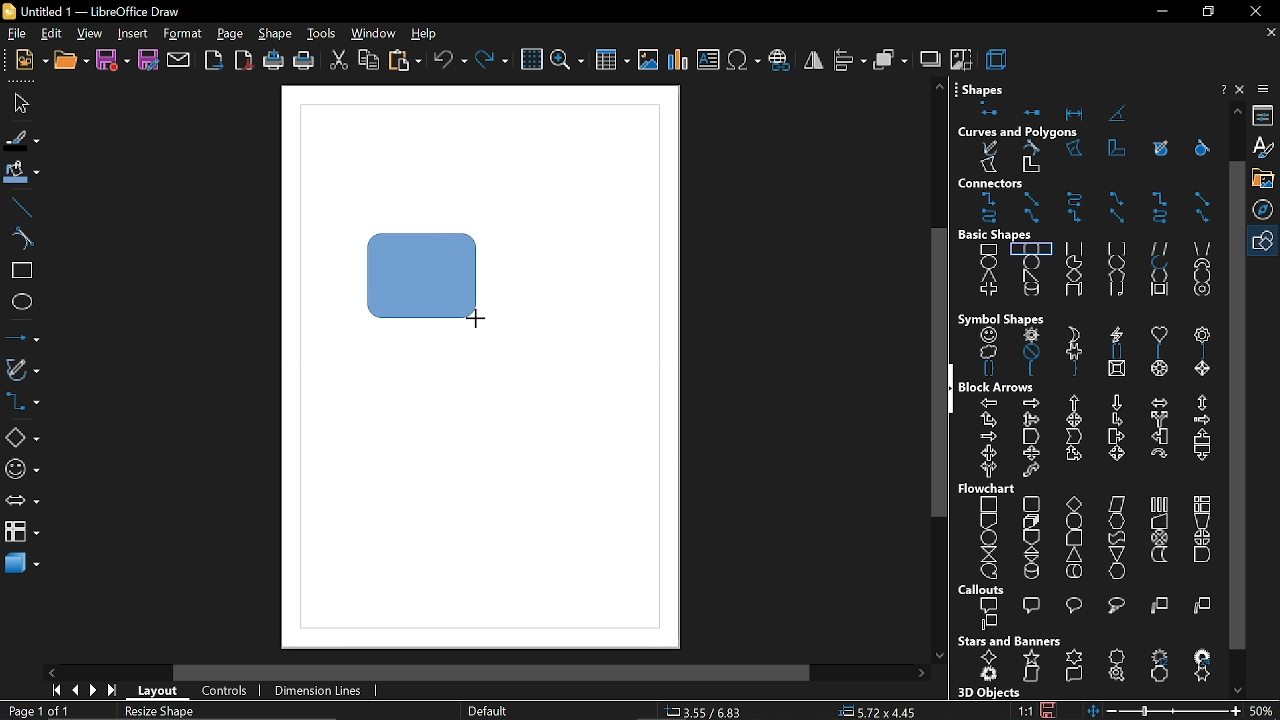 This screenshot has height=720, width=1280. Describe the element at coordinates (987, 86) in the screenshot. I see `shapes` at that location.